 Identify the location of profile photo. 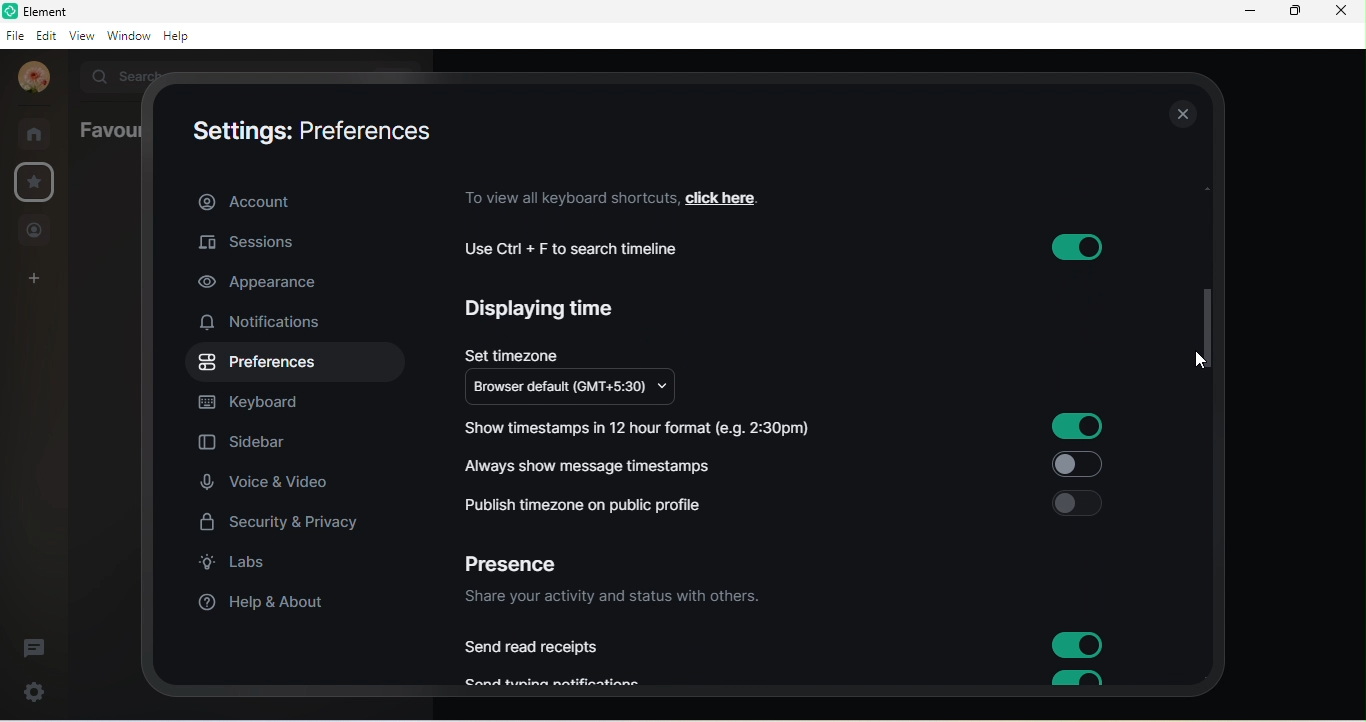
(30, 78).